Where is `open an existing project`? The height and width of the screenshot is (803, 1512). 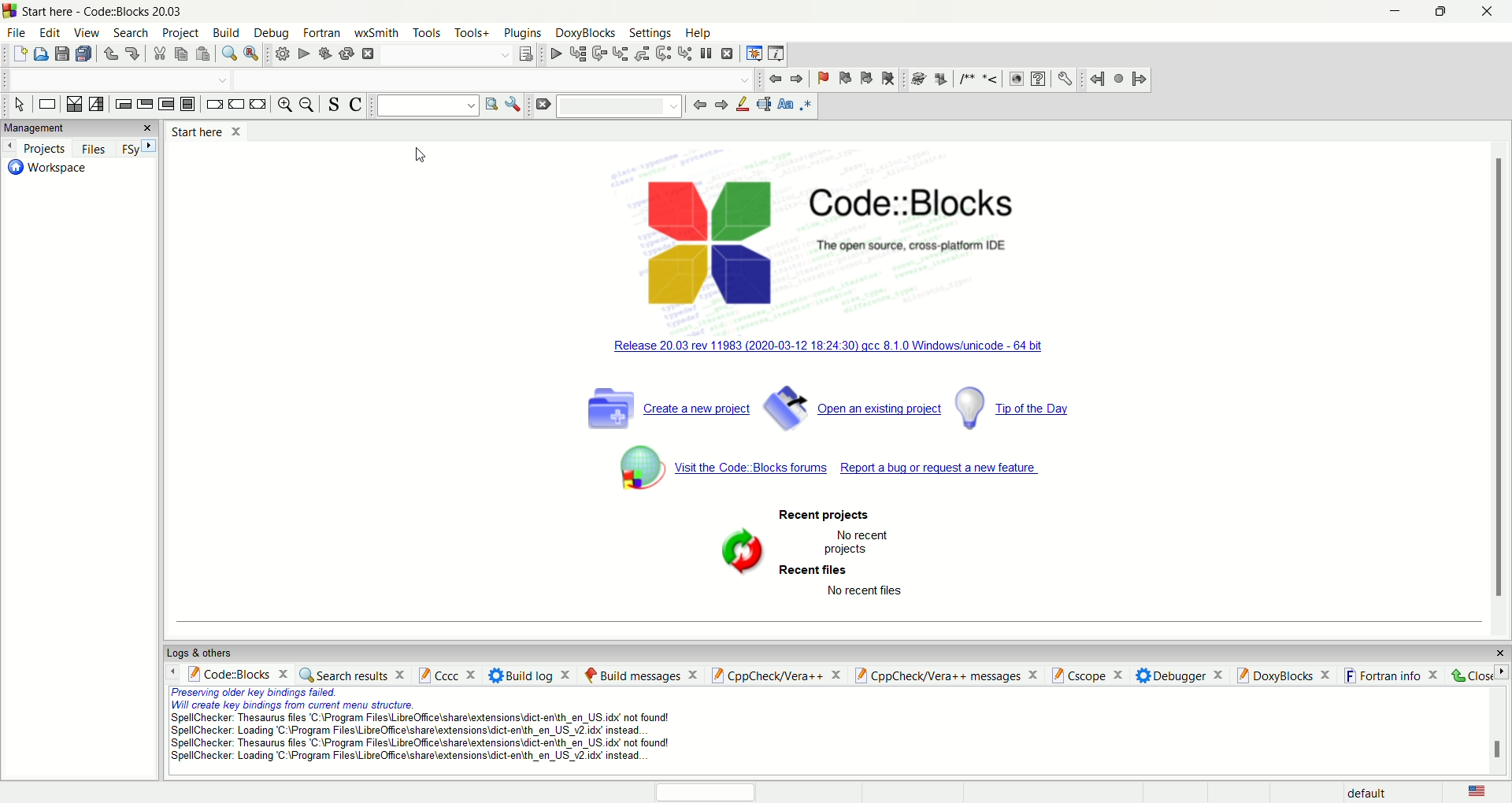
open an existing project is located at coordinates (853, 406).